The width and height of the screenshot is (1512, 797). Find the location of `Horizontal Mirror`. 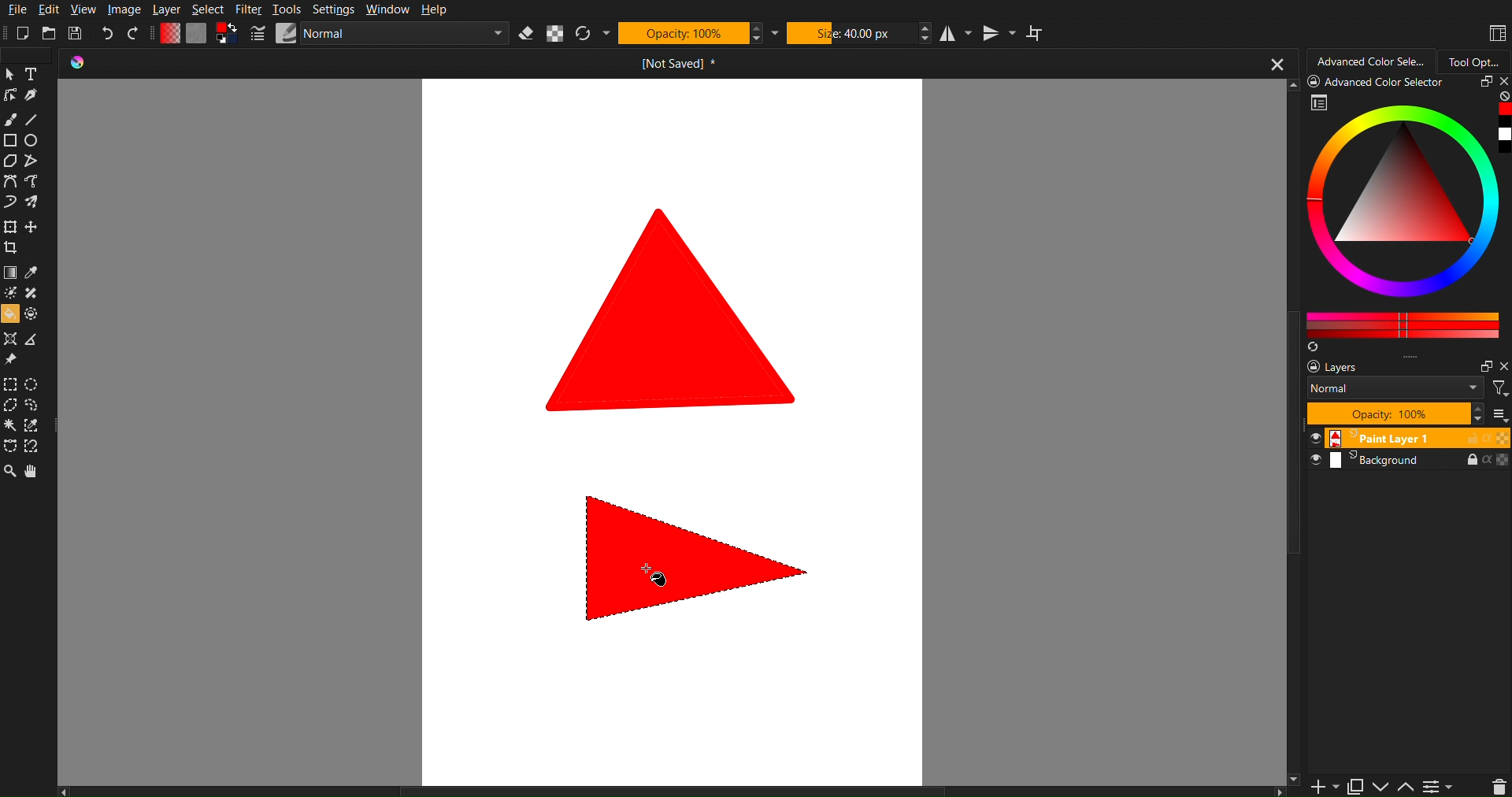

Horizontal Mirror is located at coordinates (958, 34).